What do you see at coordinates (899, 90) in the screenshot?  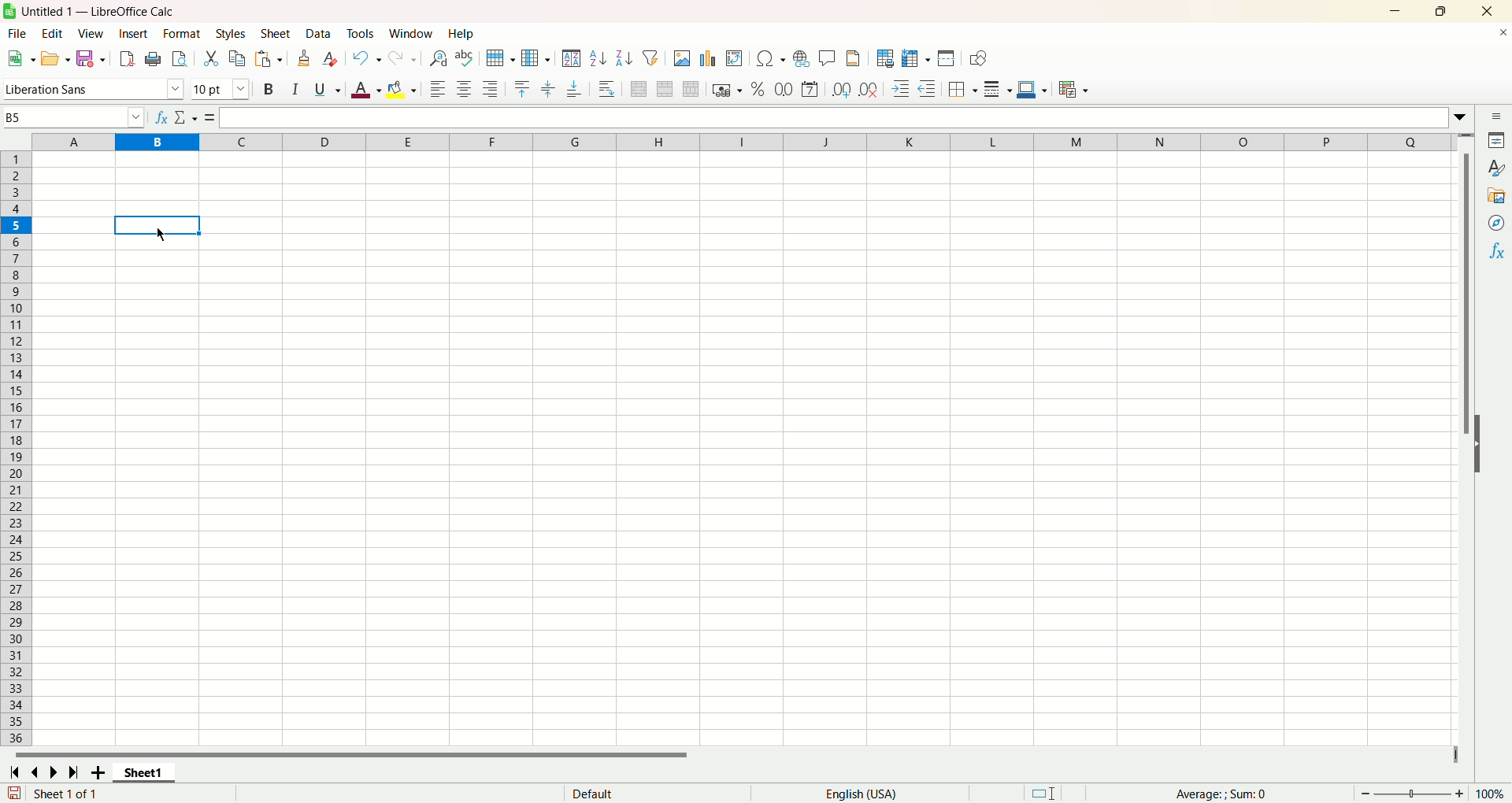 I see `increase indent` at bounding box center [899, 90].